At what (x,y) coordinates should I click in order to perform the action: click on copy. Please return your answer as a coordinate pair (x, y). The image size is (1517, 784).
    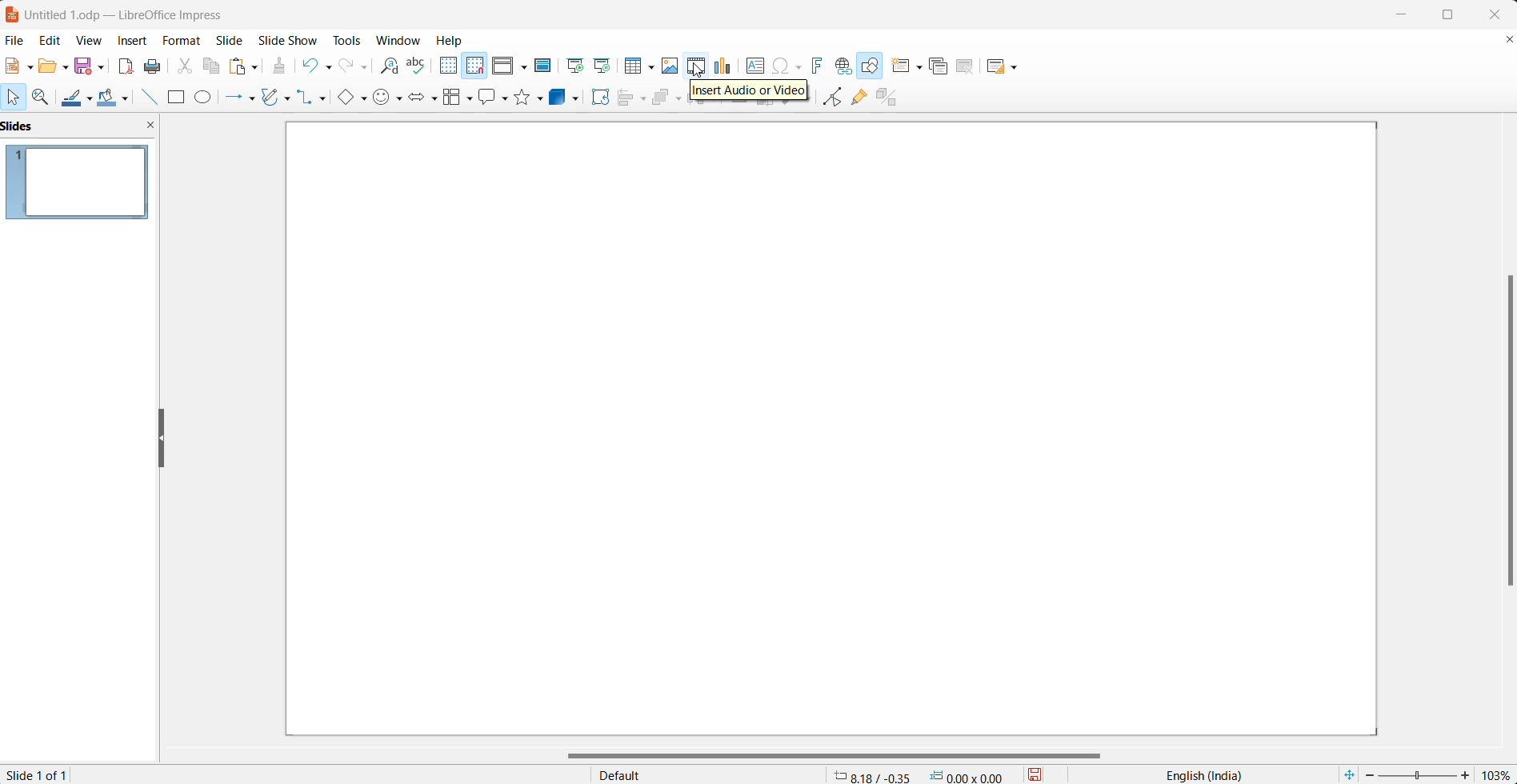
    Looking at the image, I should click on (211, 66).